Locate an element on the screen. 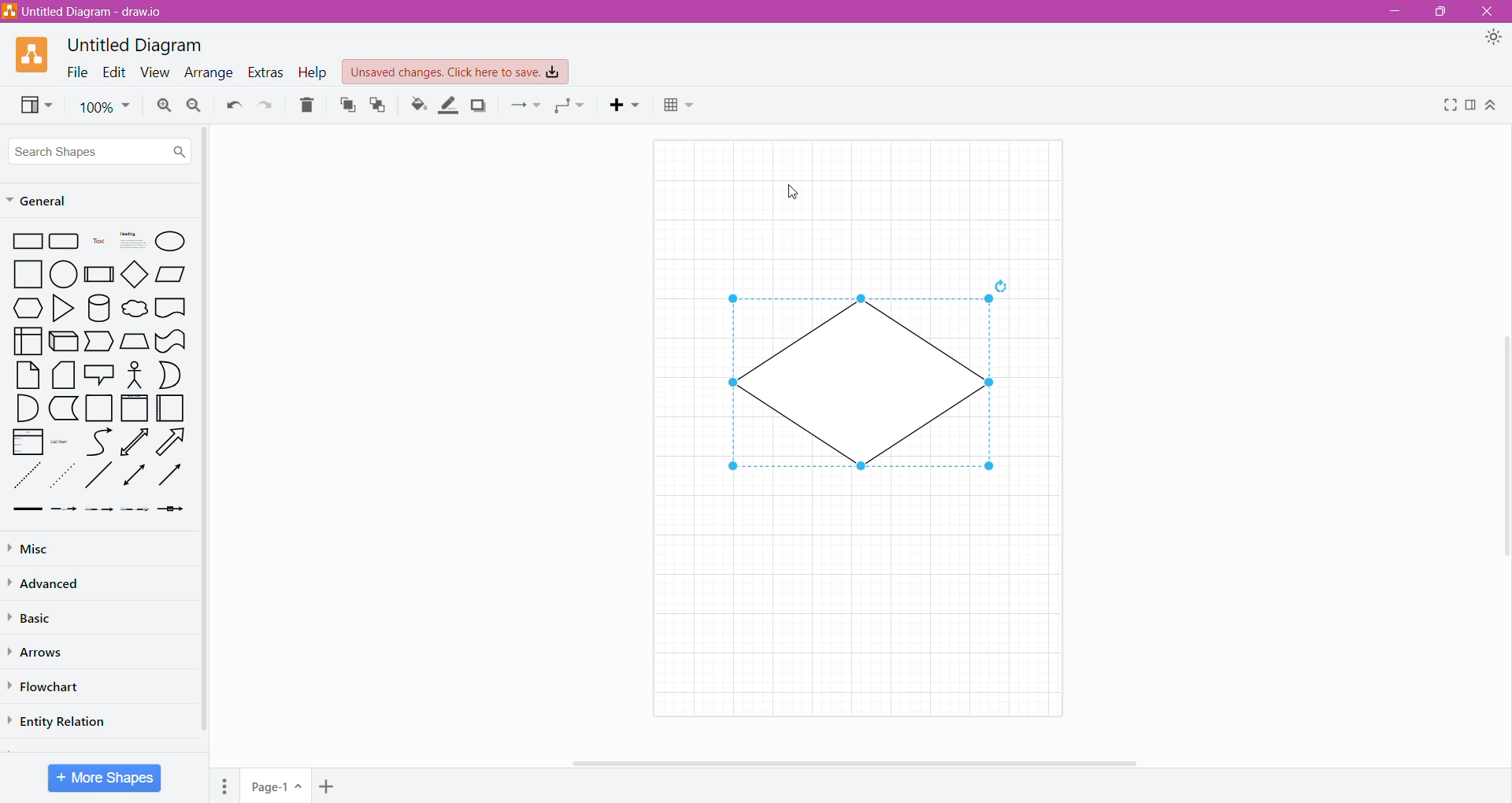 The height and width of the screenshot is (803, 1512). Dashed Line is located at coordinates (28, 479).